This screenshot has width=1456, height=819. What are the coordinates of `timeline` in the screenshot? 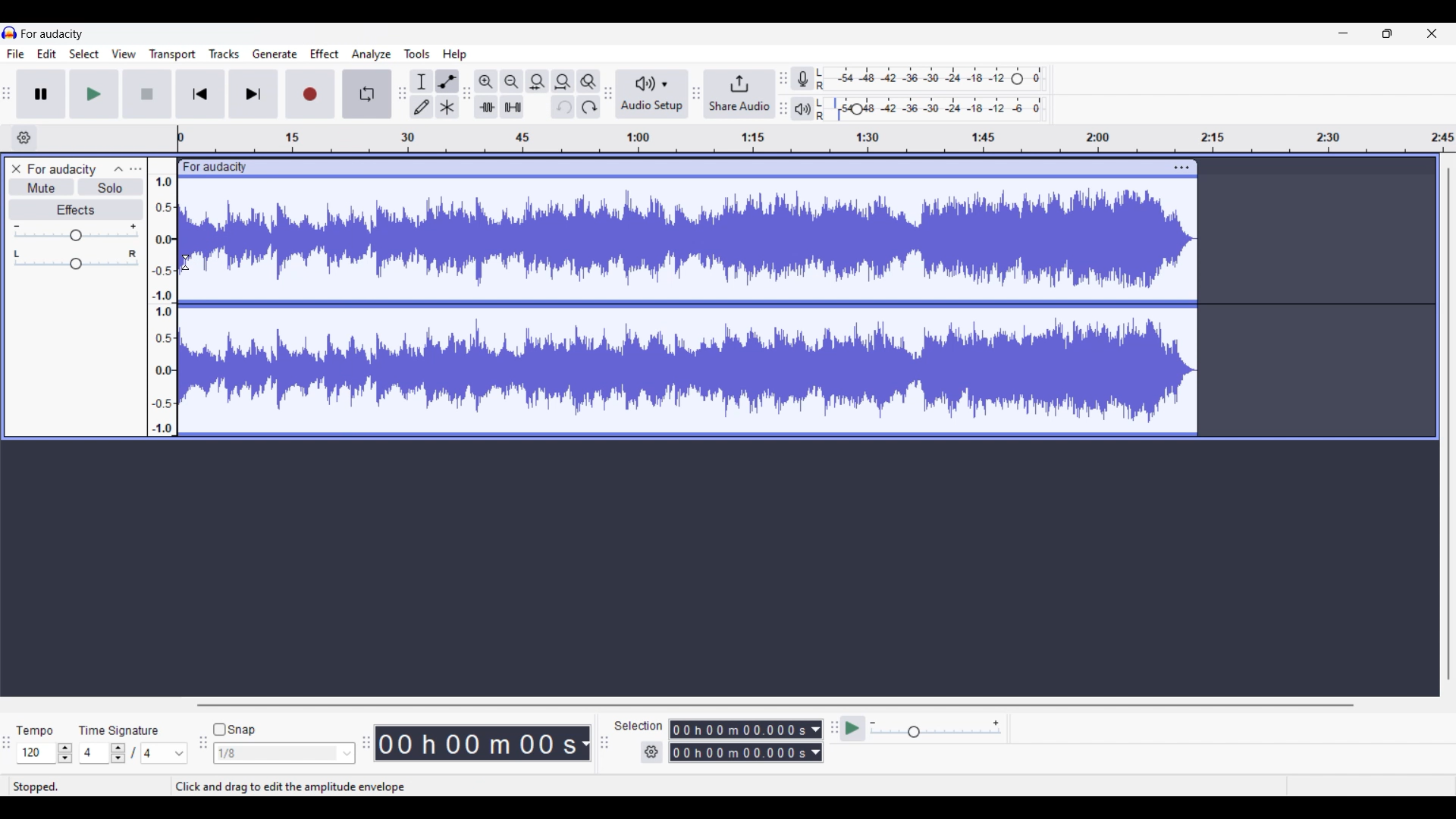 It's located at (816, 139).